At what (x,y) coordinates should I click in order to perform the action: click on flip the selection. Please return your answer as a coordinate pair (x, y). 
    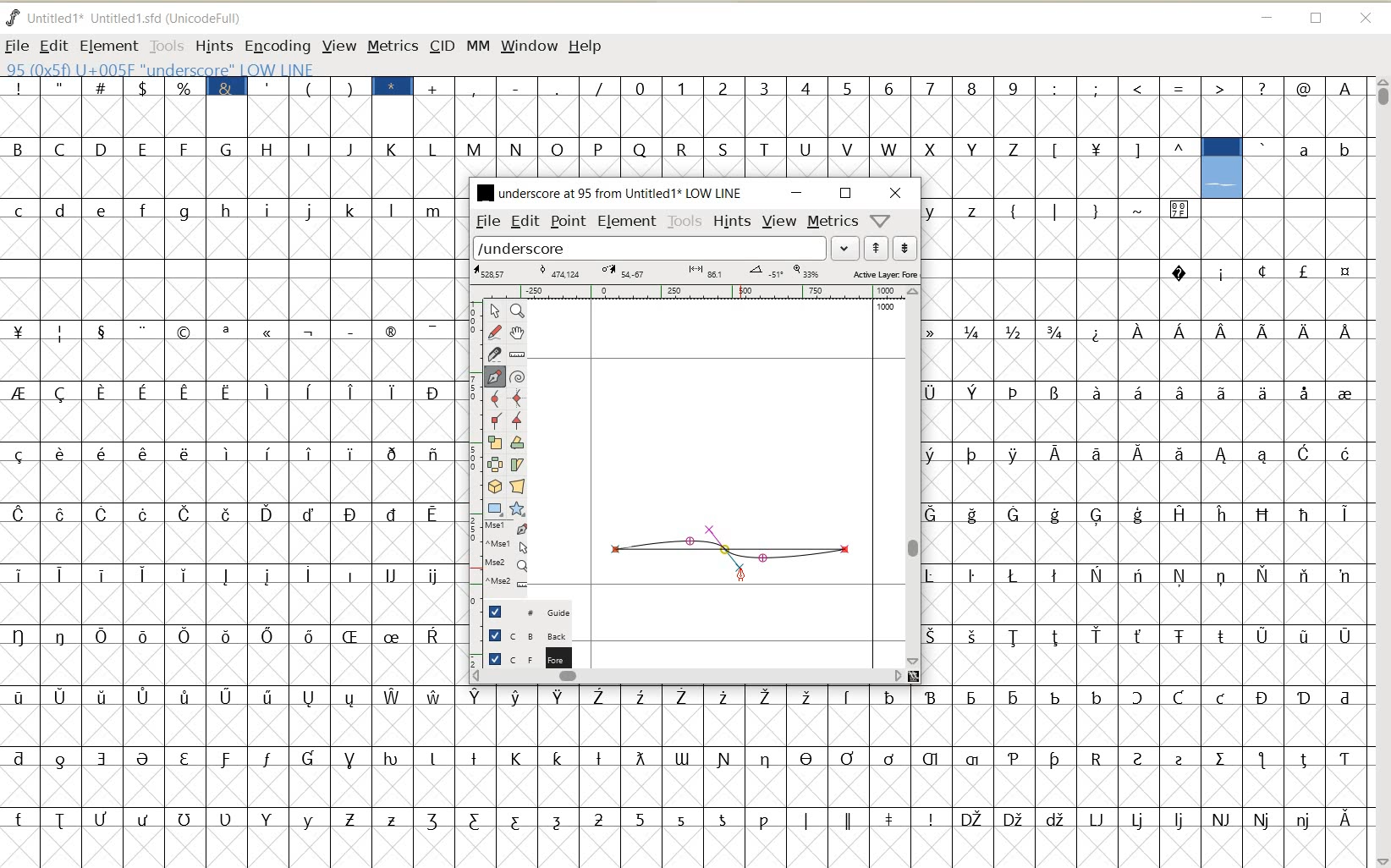
    Looking at the image, I should click on (494, 464).